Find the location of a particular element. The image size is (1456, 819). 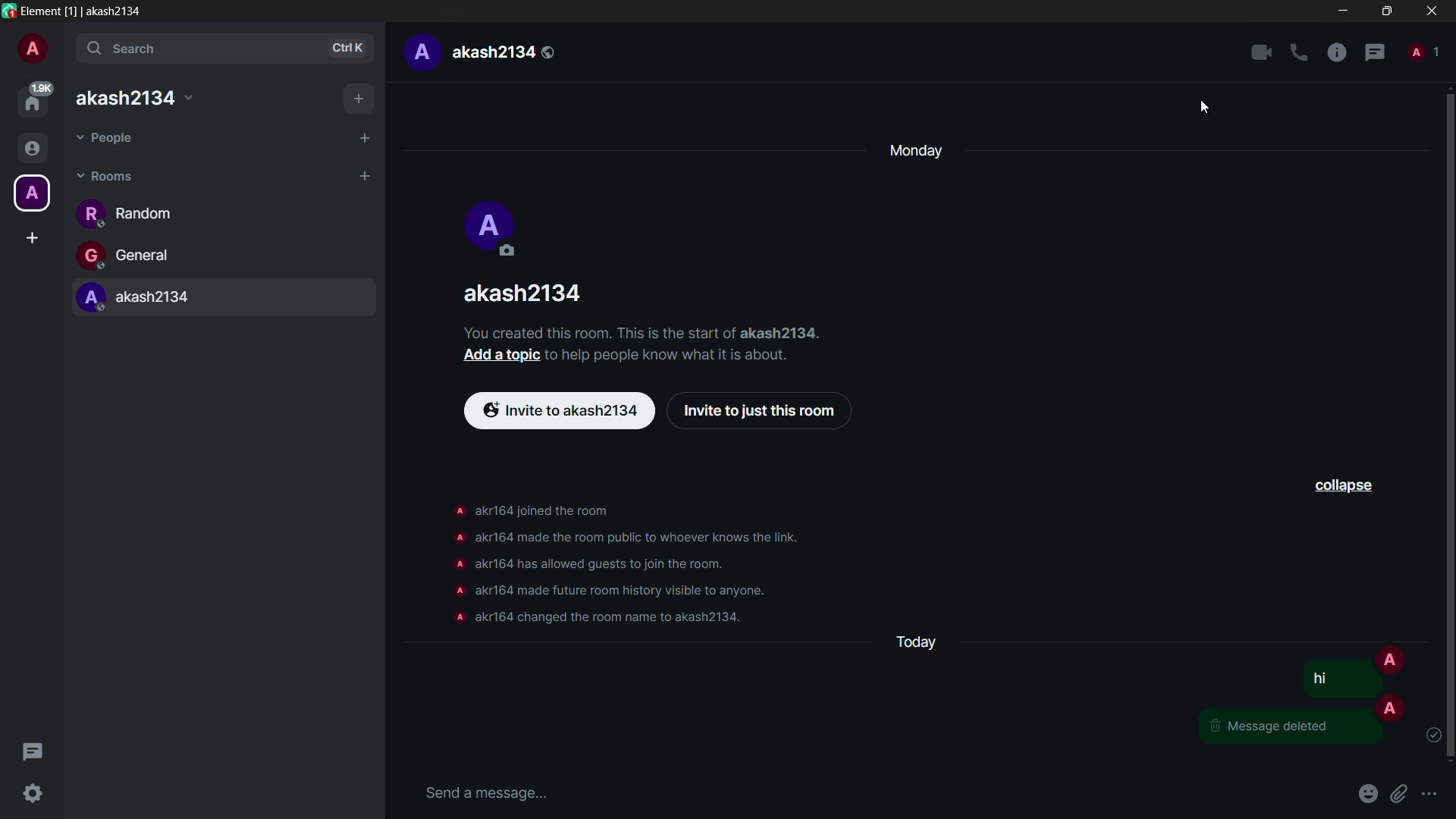

add room is located at coordinates (364, 177).